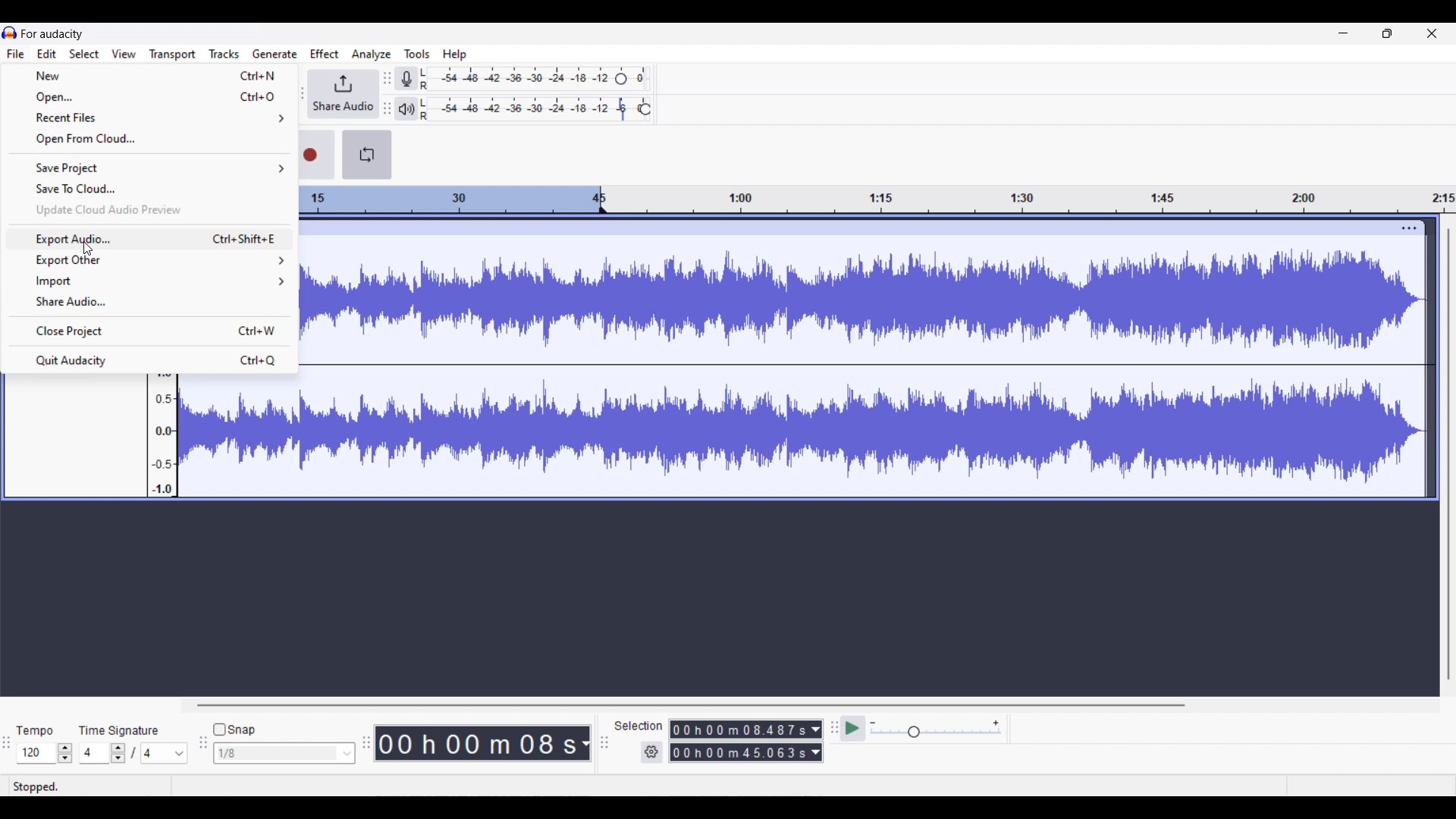 This screenshot has width=1456, height=819. I want to click on Update cloud audio preview, so click(152, 210).